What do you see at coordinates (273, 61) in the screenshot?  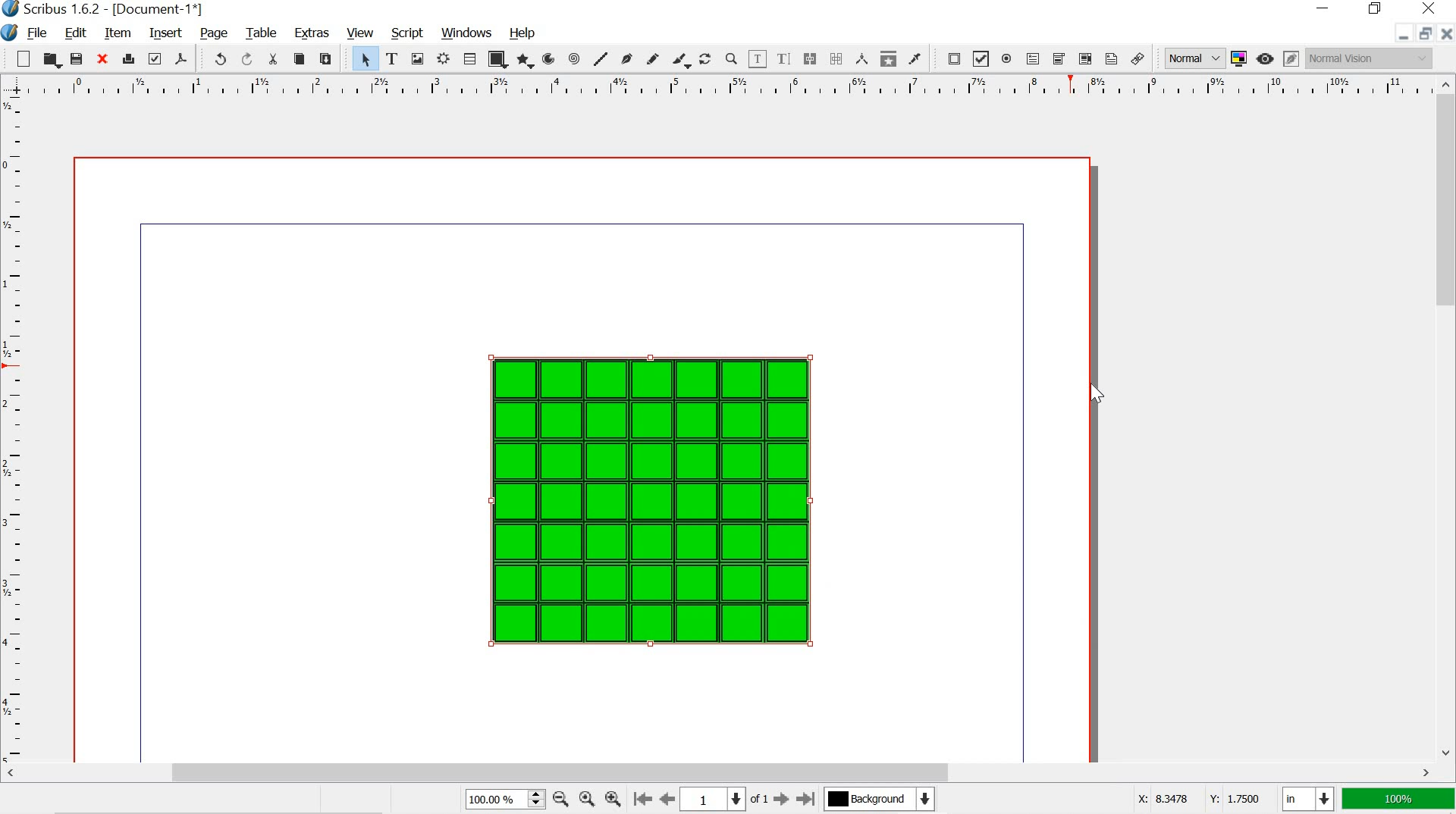 I see `cut` at bounding box center [273, 61].